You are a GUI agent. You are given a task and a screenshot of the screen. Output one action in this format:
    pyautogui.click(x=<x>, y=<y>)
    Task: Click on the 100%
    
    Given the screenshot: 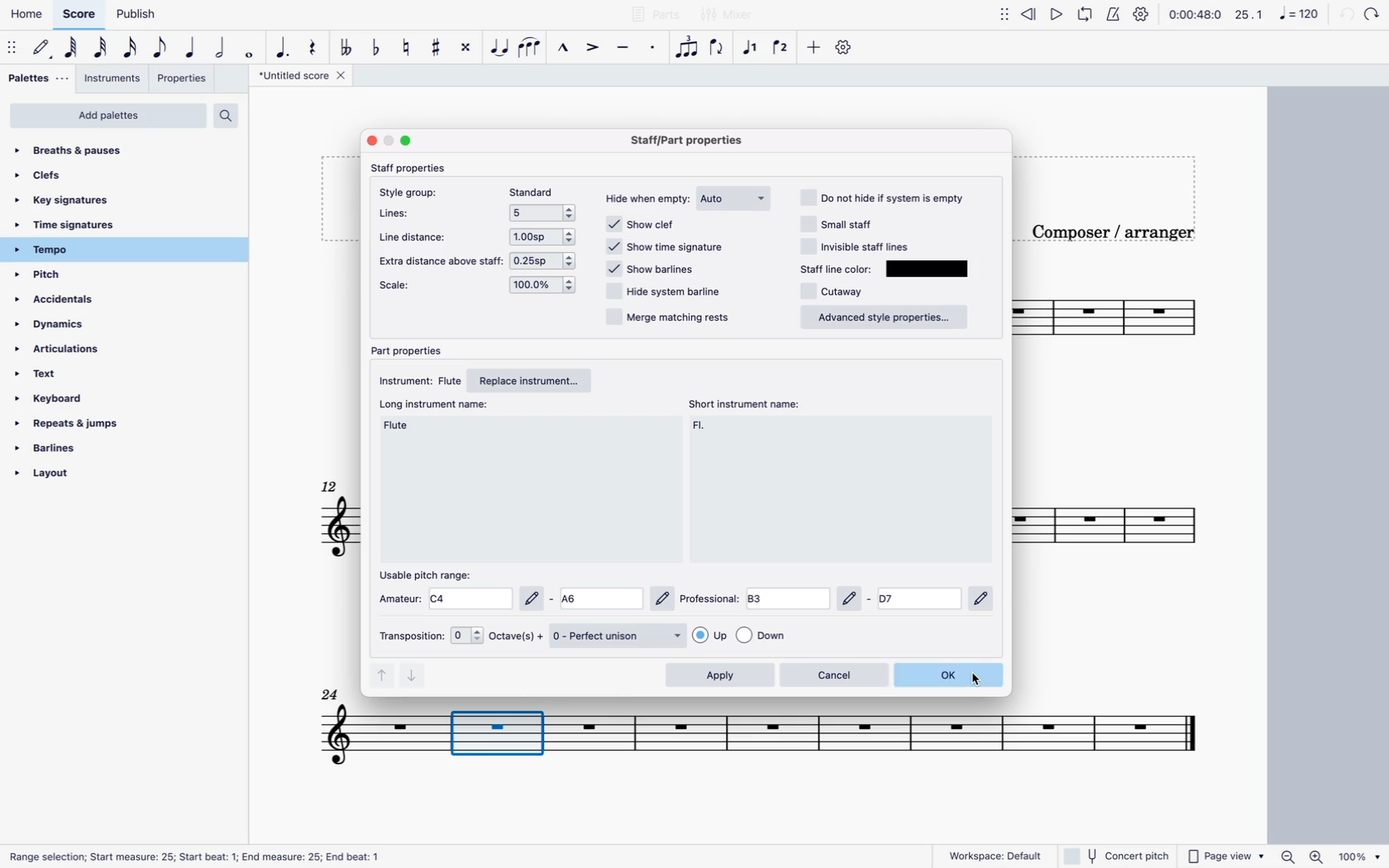 What is the action you would take?
    pyautogui.click(x=1360, y=856)
    